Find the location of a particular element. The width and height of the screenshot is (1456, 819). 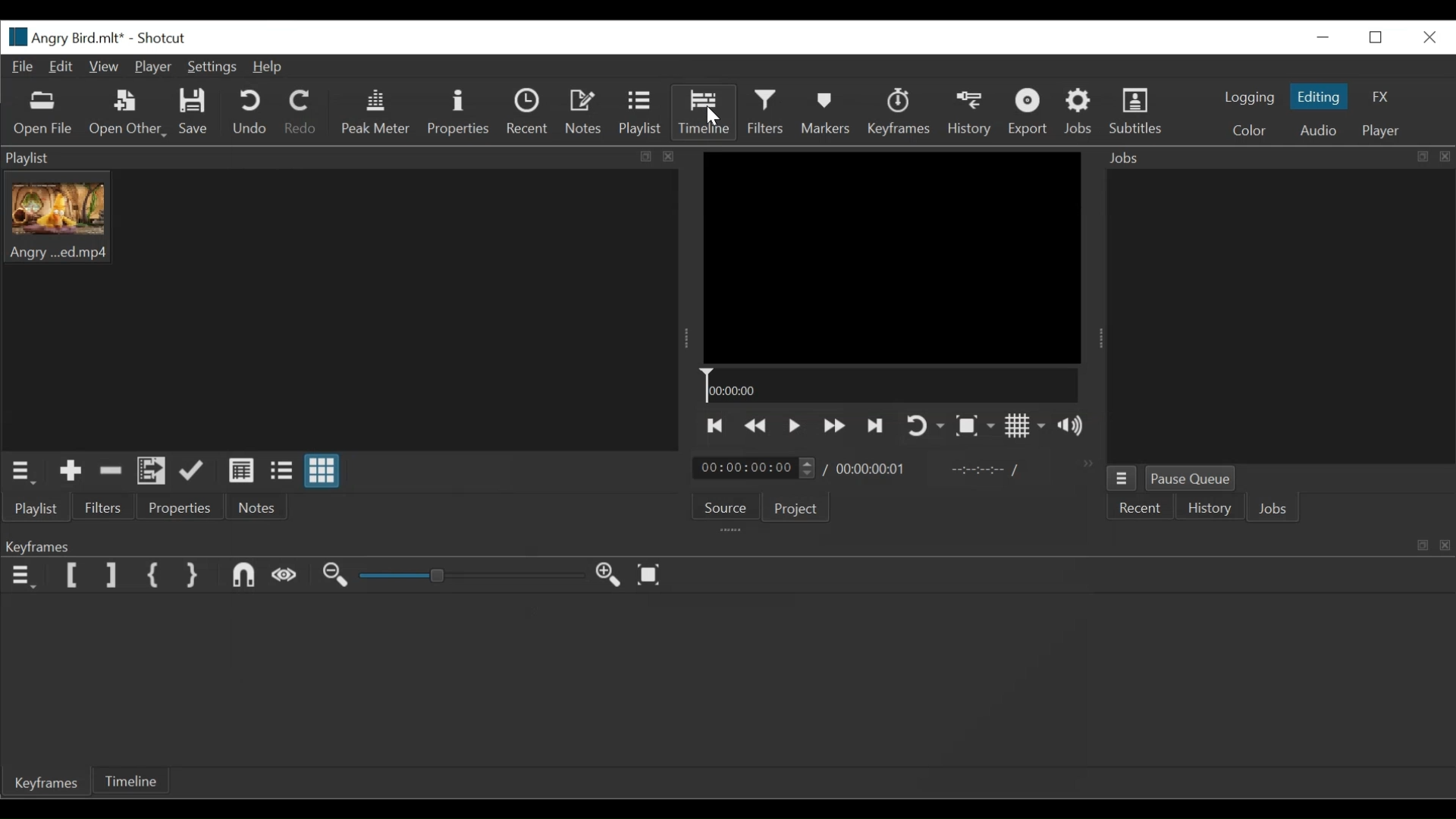

 is located at coordinates (1432, 39).